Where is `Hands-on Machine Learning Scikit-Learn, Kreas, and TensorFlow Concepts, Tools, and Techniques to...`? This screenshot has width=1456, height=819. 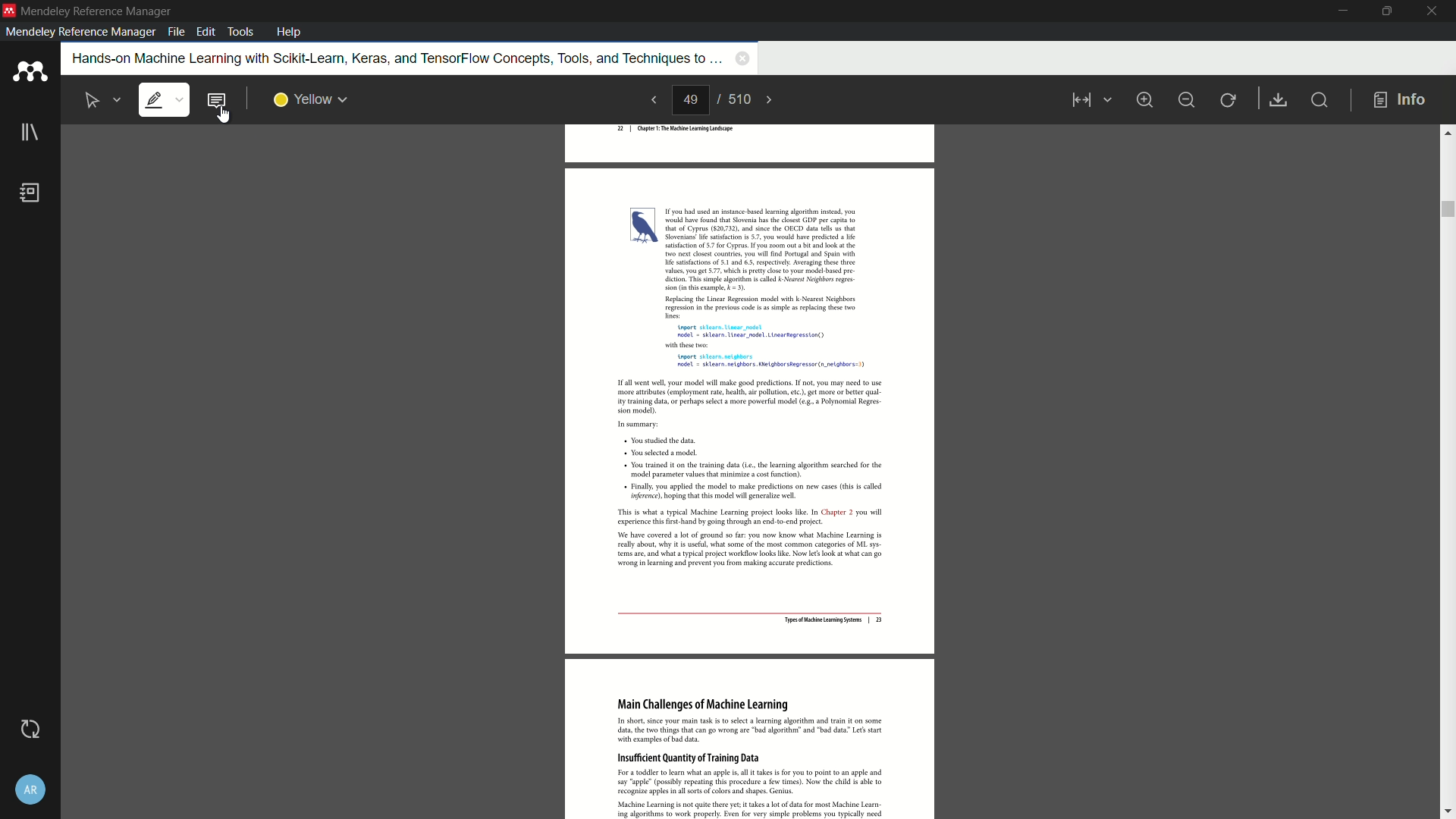 Hands-on Machine Learning Scikit-Learn, Kreas, and TensorFlow Concepts, Tools, and Techniques to... is located at coordinates (388, 60).